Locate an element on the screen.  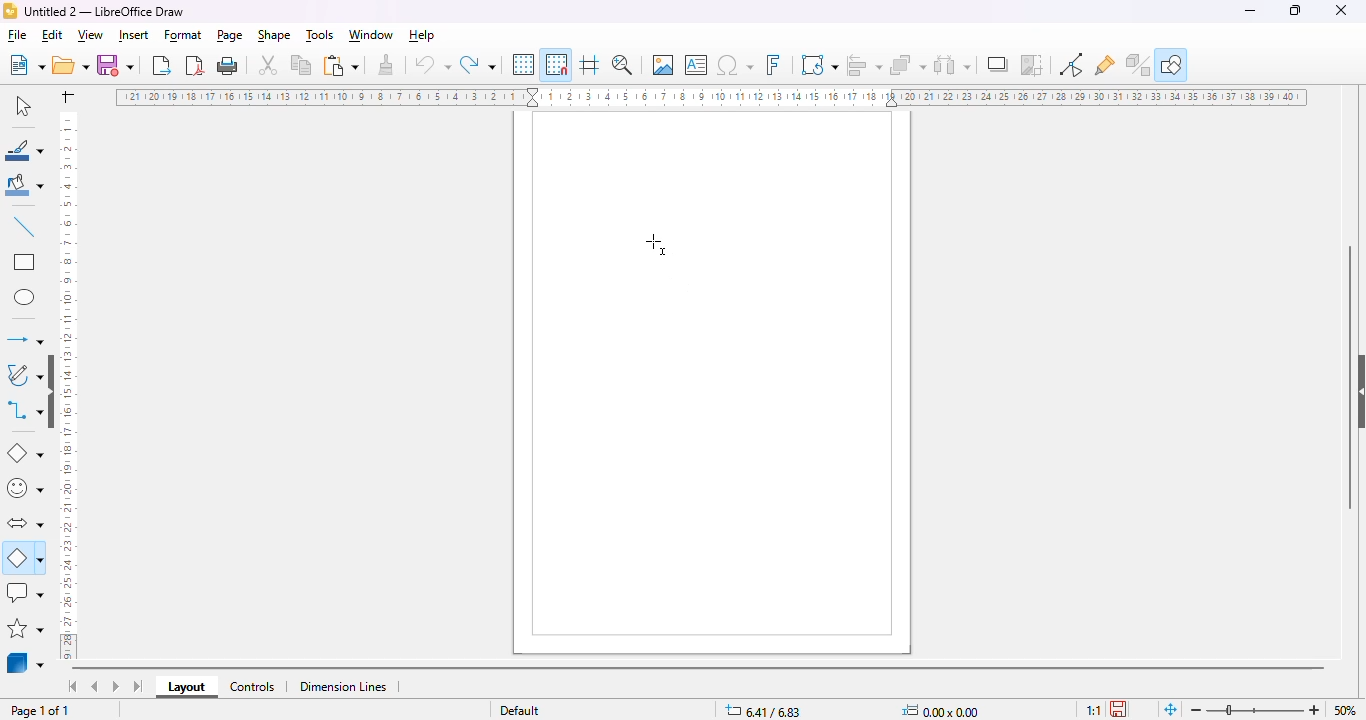
insert special characters is located at coordinates (735, 65).